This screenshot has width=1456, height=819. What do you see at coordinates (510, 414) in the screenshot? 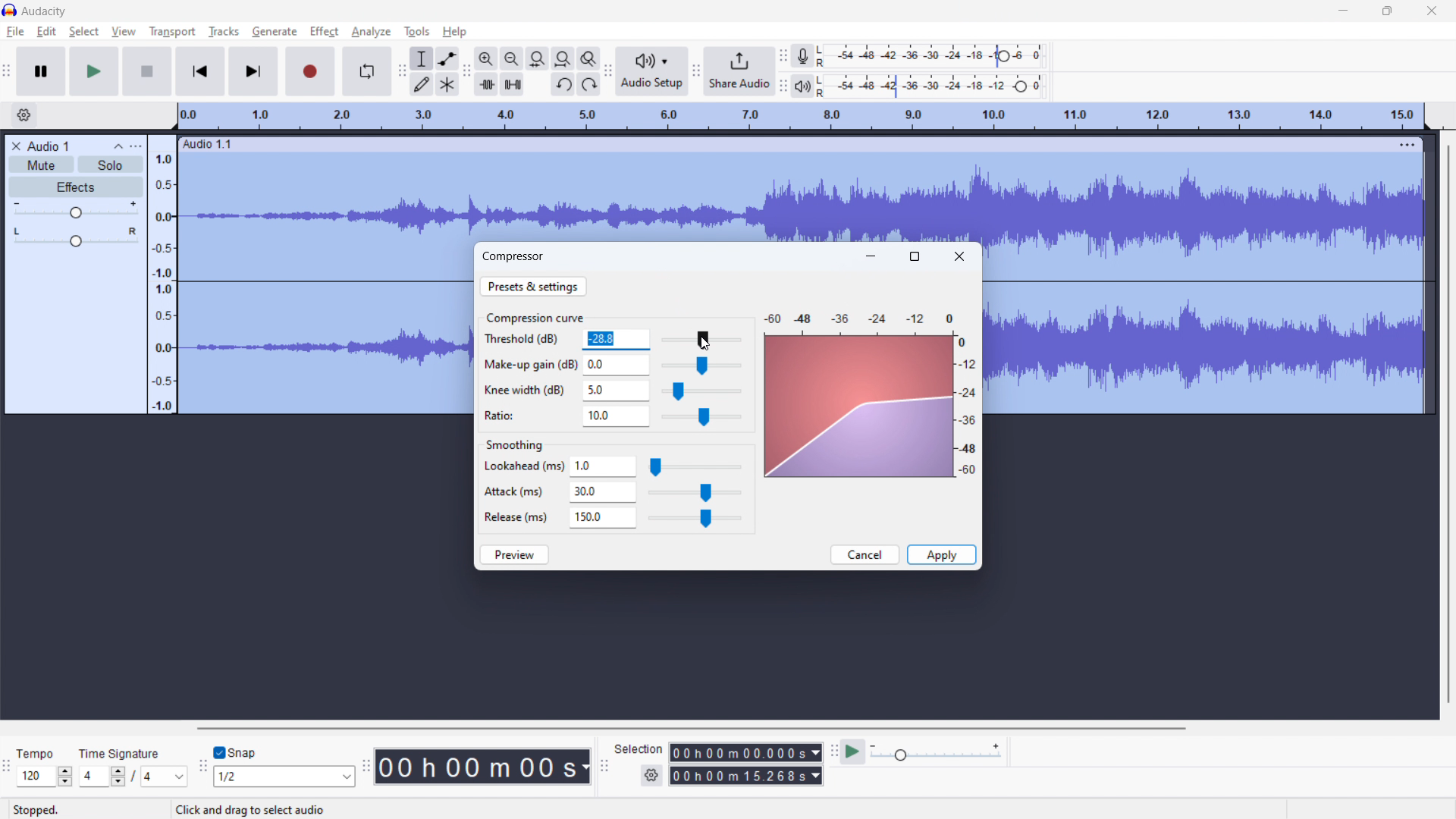
I see `Ratio:` at bounding box center [510, 414].